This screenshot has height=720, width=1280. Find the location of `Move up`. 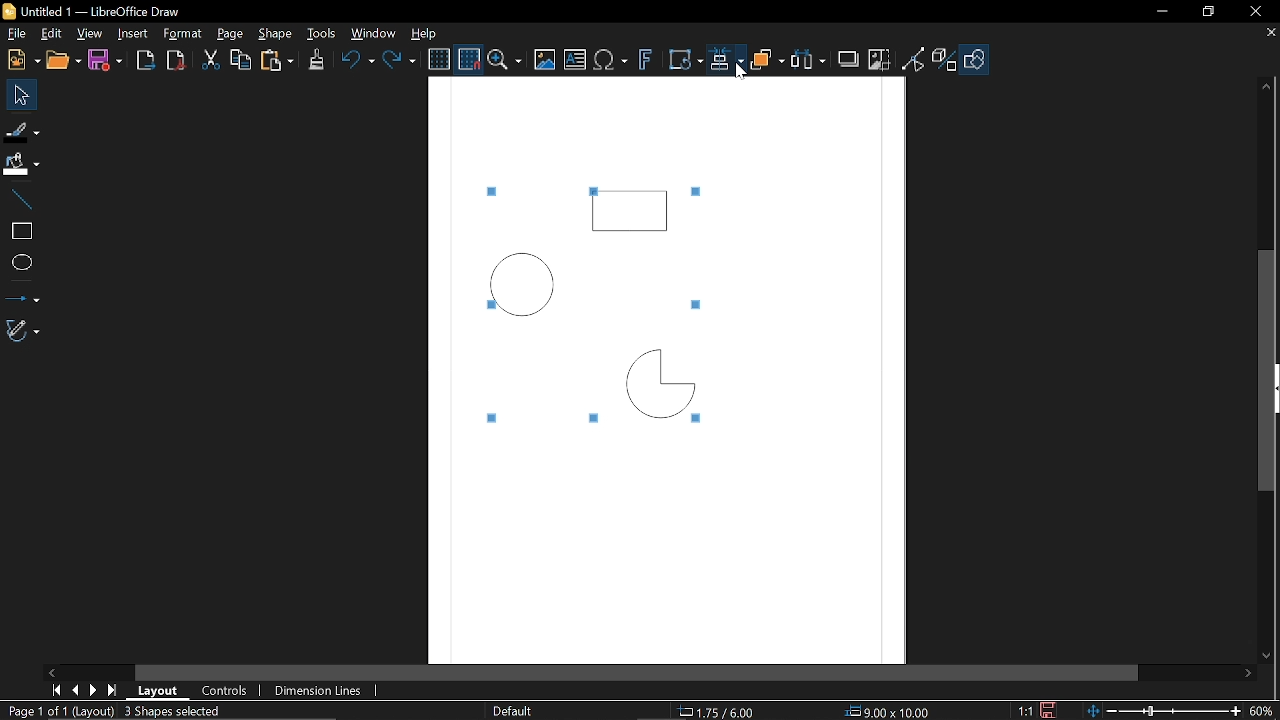

Move up is located at coordinates (1268, 84).